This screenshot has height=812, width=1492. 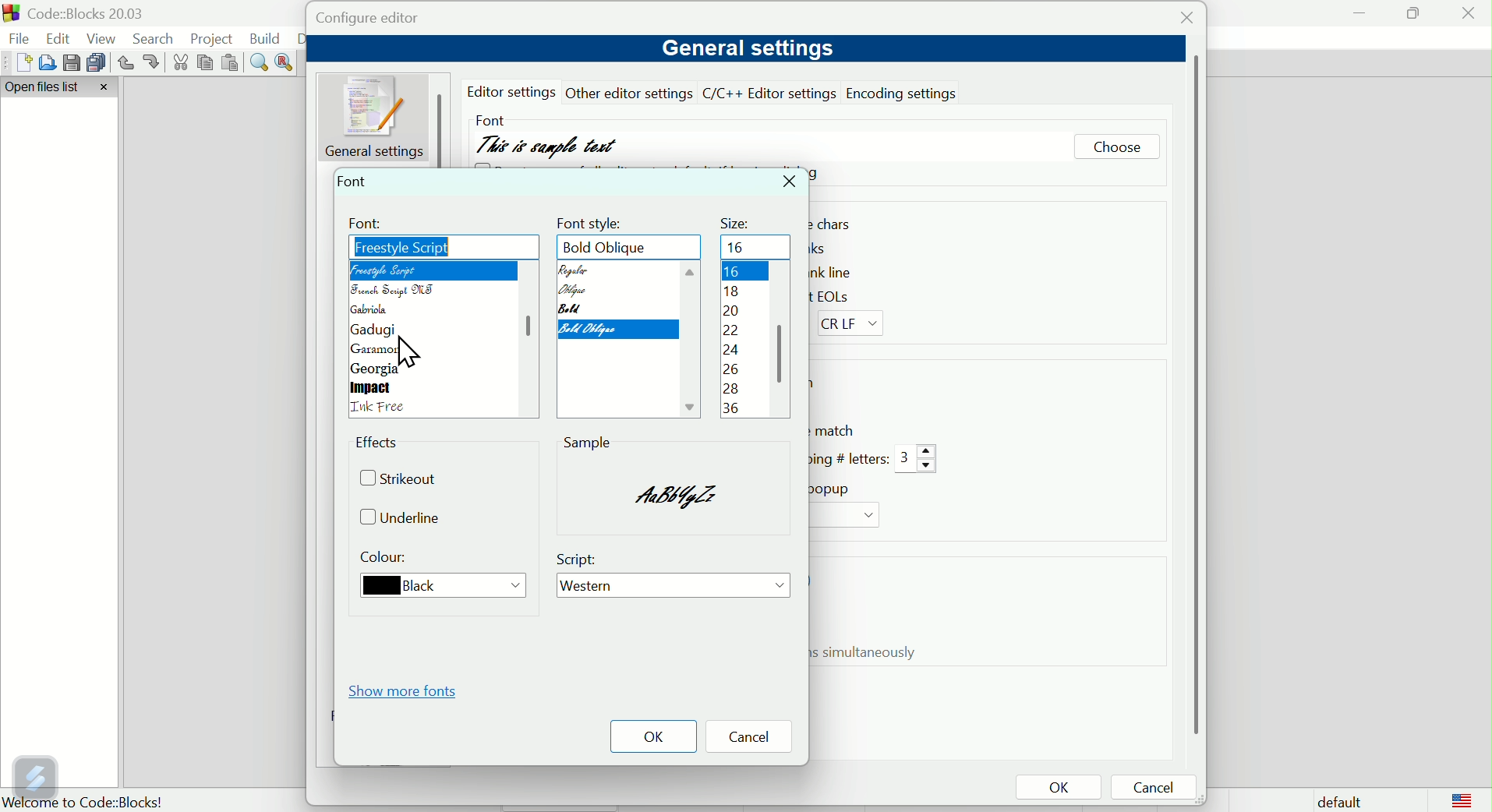 I want to click on Encoding settings, so click(x=905, y=92).